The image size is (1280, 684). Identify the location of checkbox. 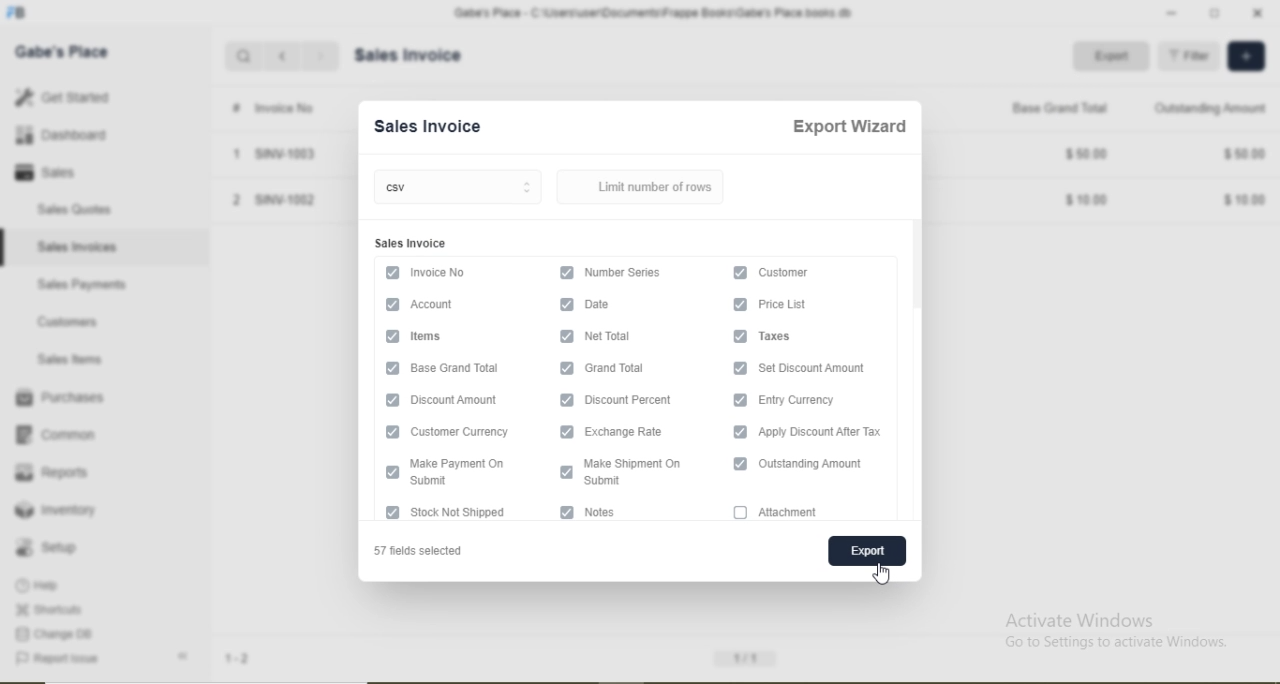
(564, 470).